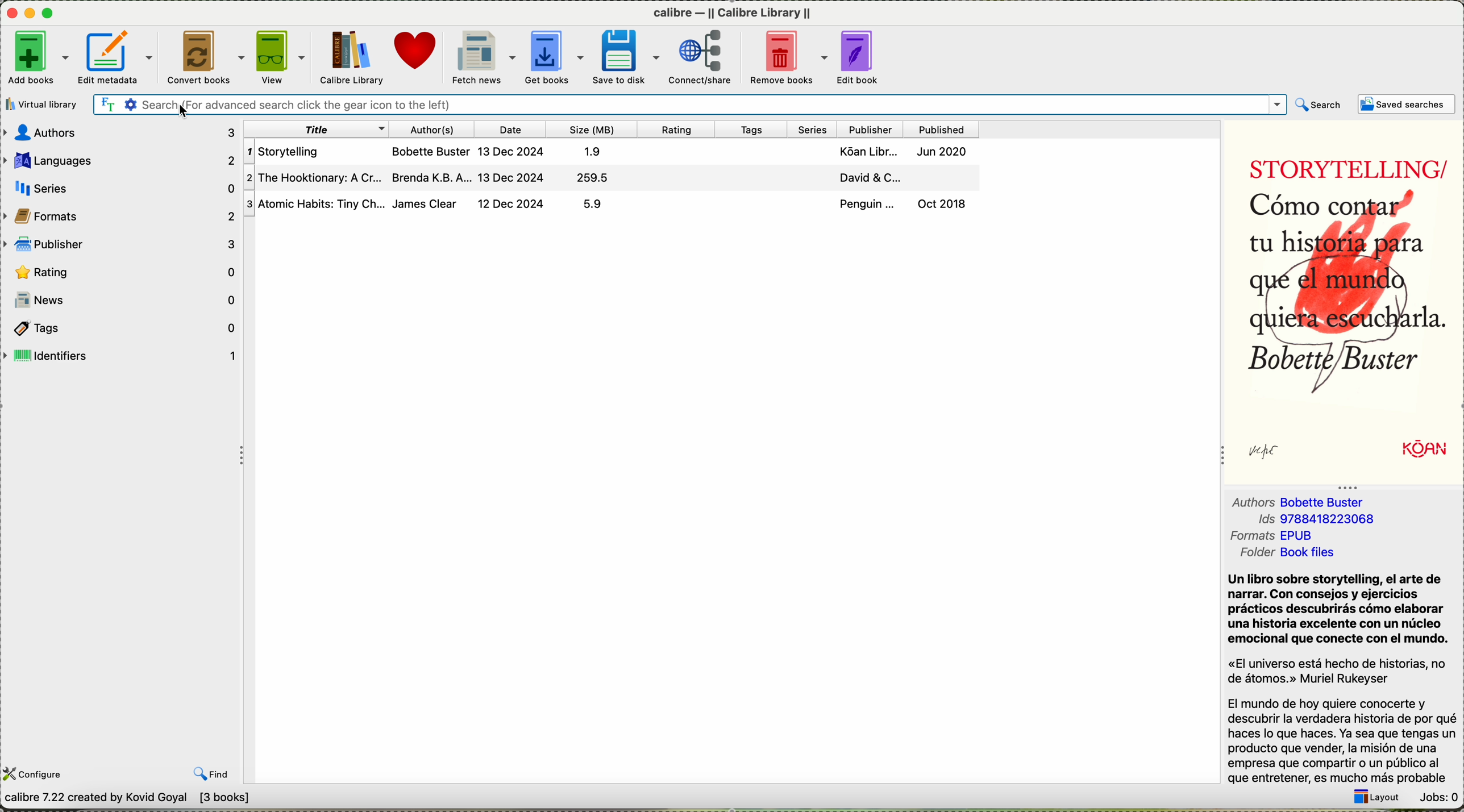 The width and height of the screenshot is (1464, 812). Describe the element at coordinates (1328, 503) in the screenshot. I see `Bobettle Buster` at that location.